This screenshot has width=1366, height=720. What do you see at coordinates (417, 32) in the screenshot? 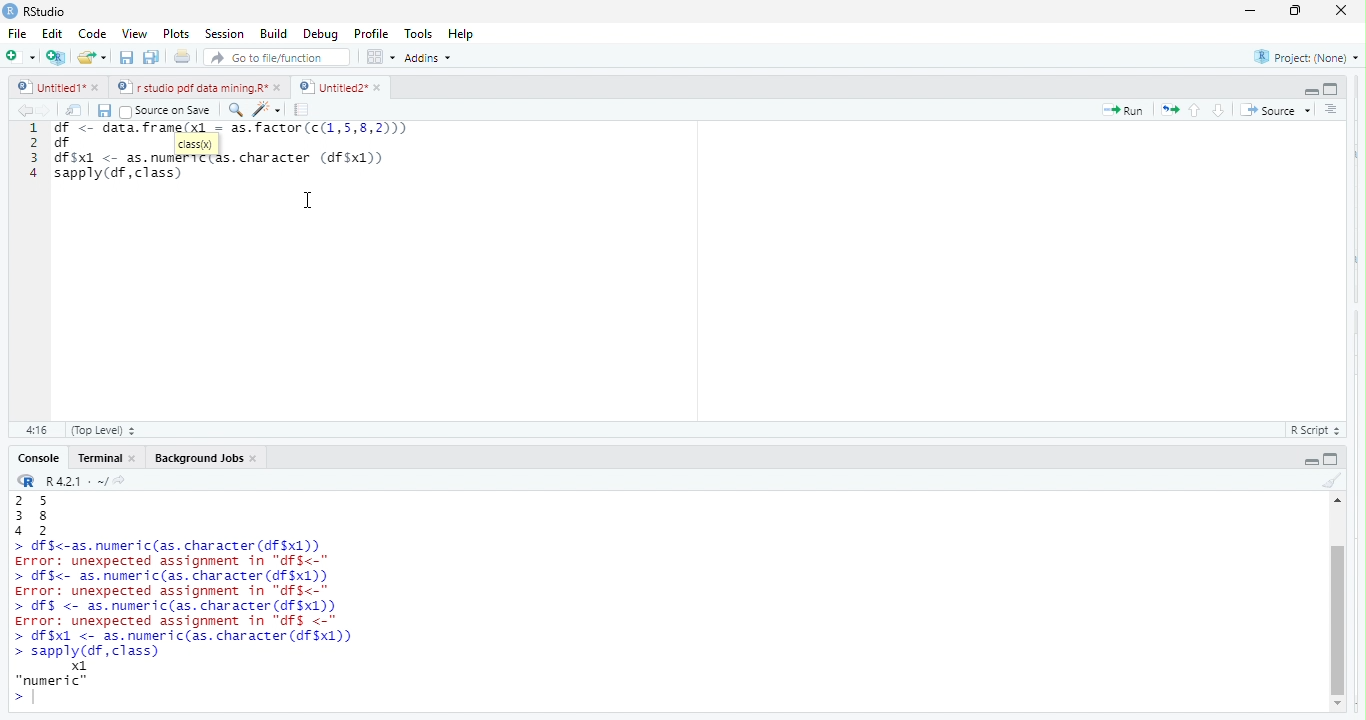
I see `tools` at bounding box center [417, 32].